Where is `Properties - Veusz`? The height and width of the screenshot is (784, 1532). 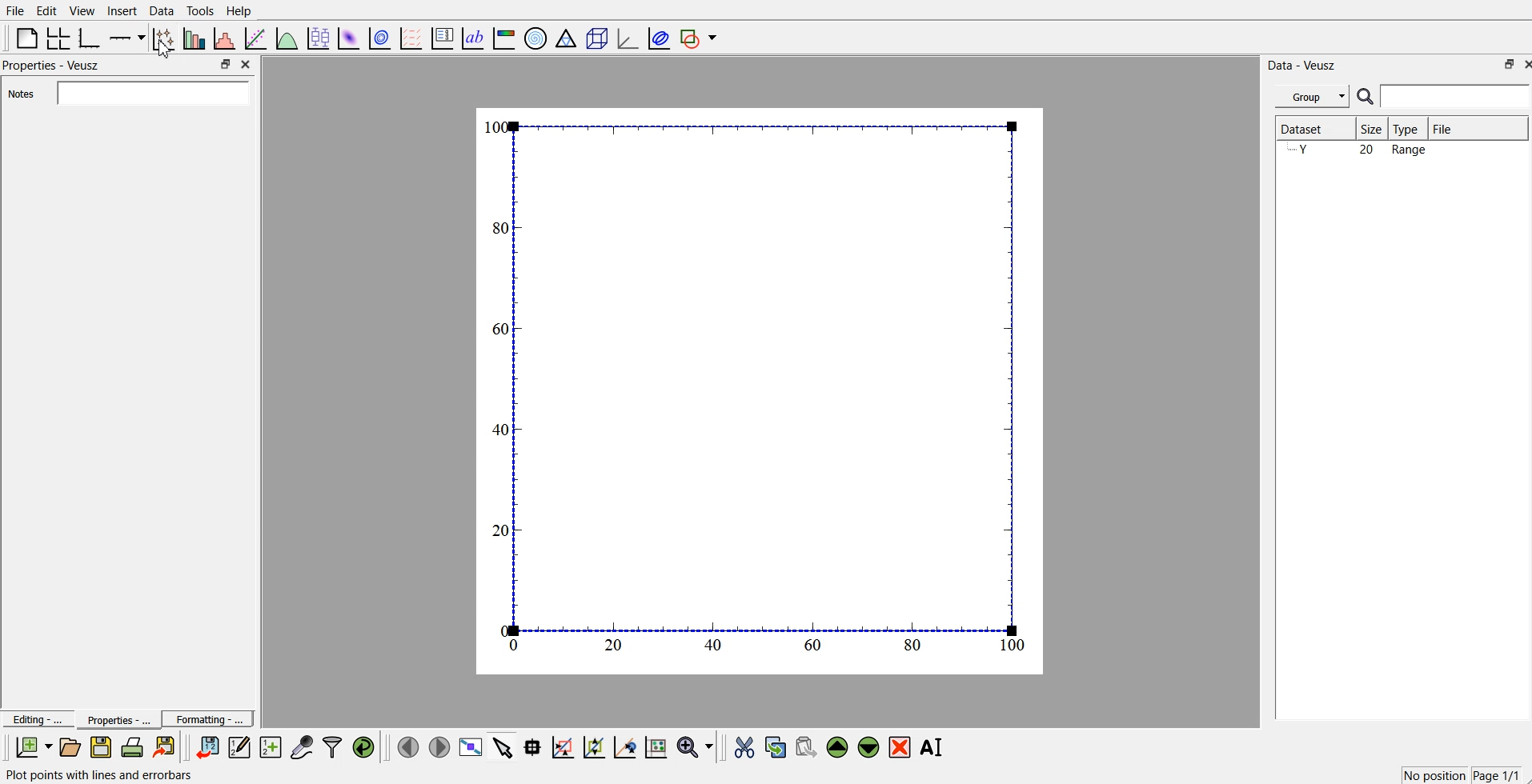 Properties - Veusz is located at coordinates (52, 66).